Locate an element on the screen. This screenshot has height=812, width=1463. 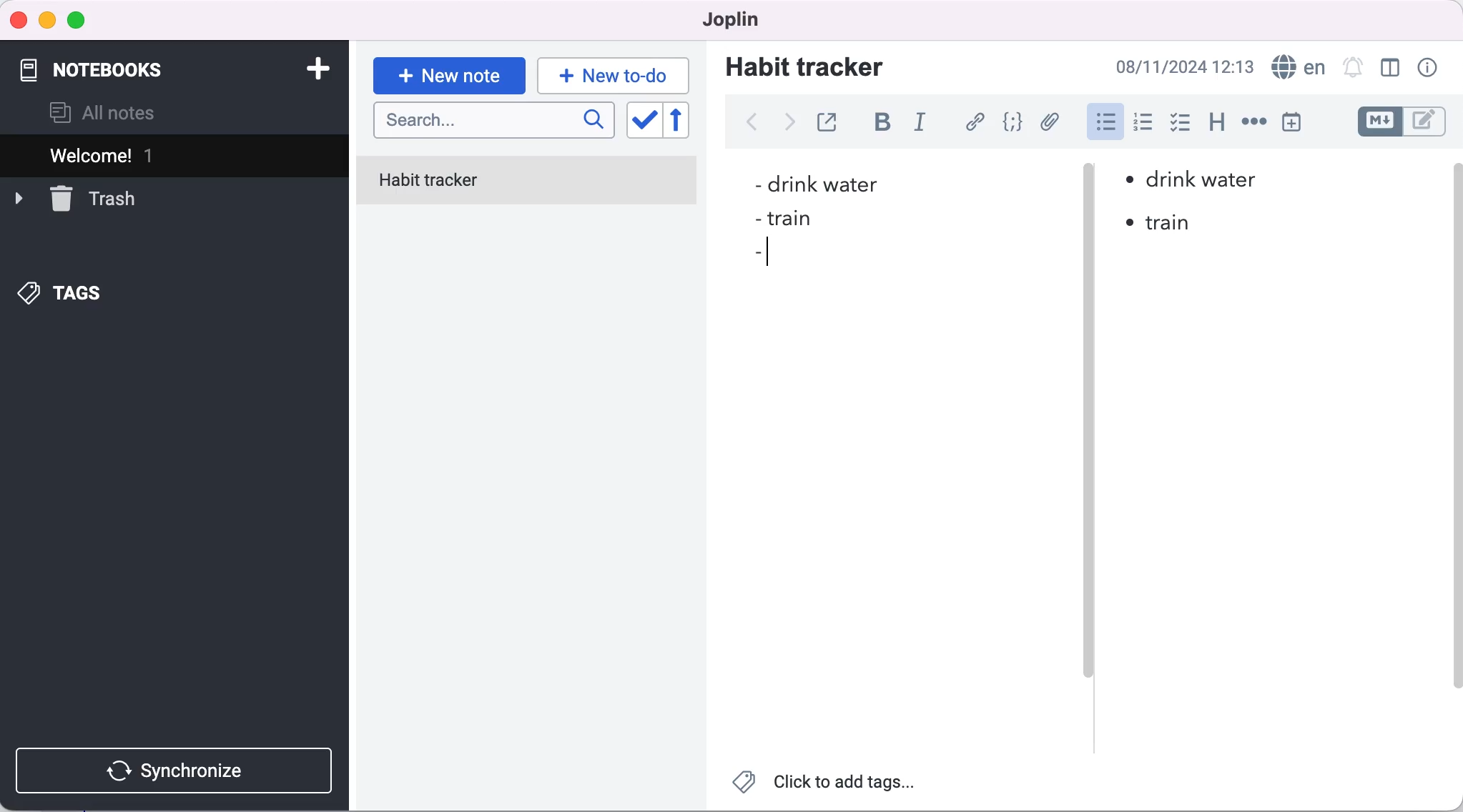
welcome 1 is located at coordinates (177, 155).